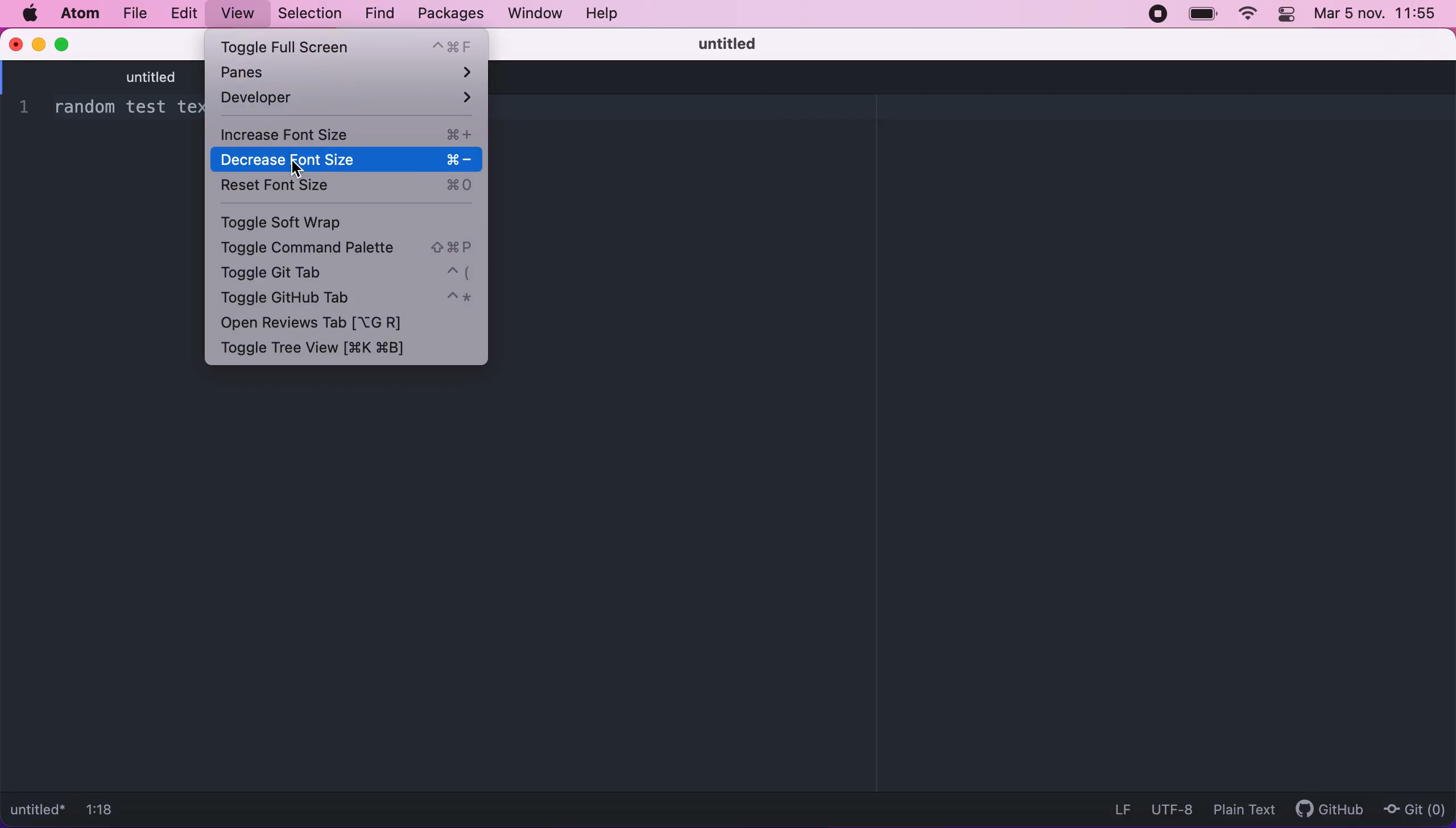 The width and height of the screenshot is (1456, 828). Describe the element at coordinates (109, 108) in the screenshot. I see `1 random test text` at that location.